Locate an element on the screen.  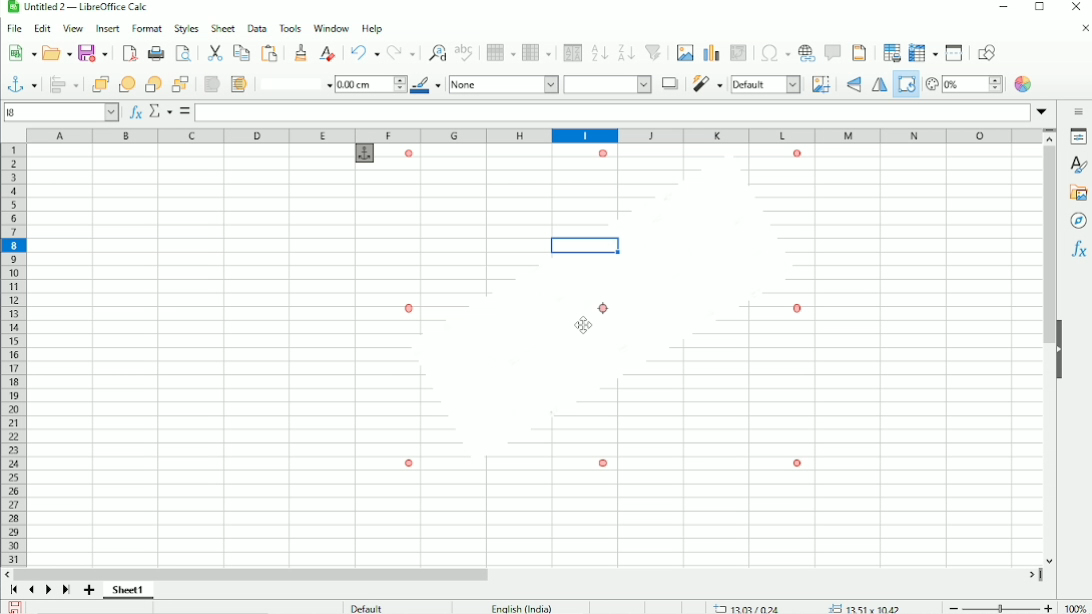
New is located at coordinates (20, 54).